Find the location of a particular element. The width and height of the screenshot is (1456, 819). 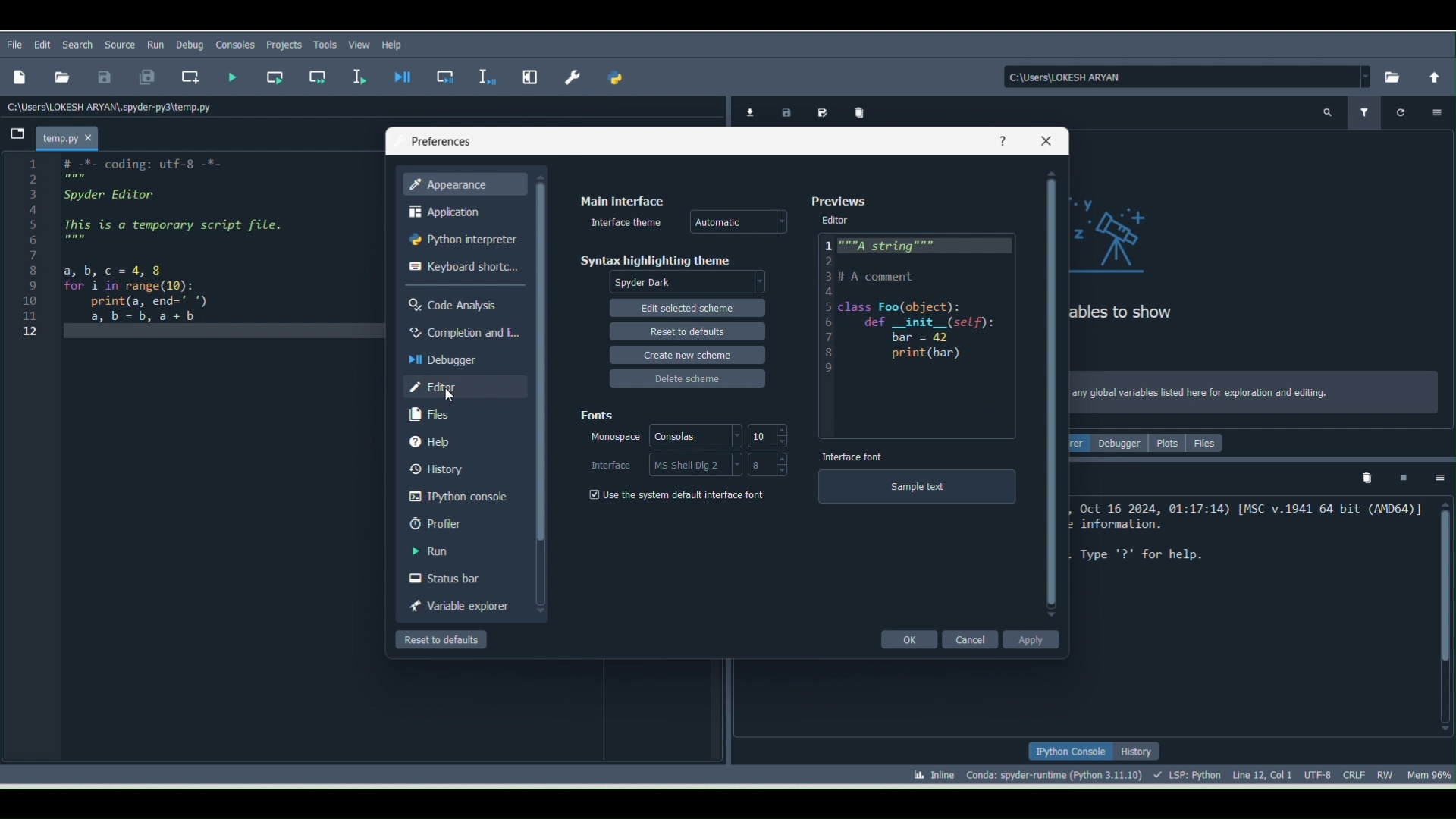

Run is located at coordinates (460, 551).